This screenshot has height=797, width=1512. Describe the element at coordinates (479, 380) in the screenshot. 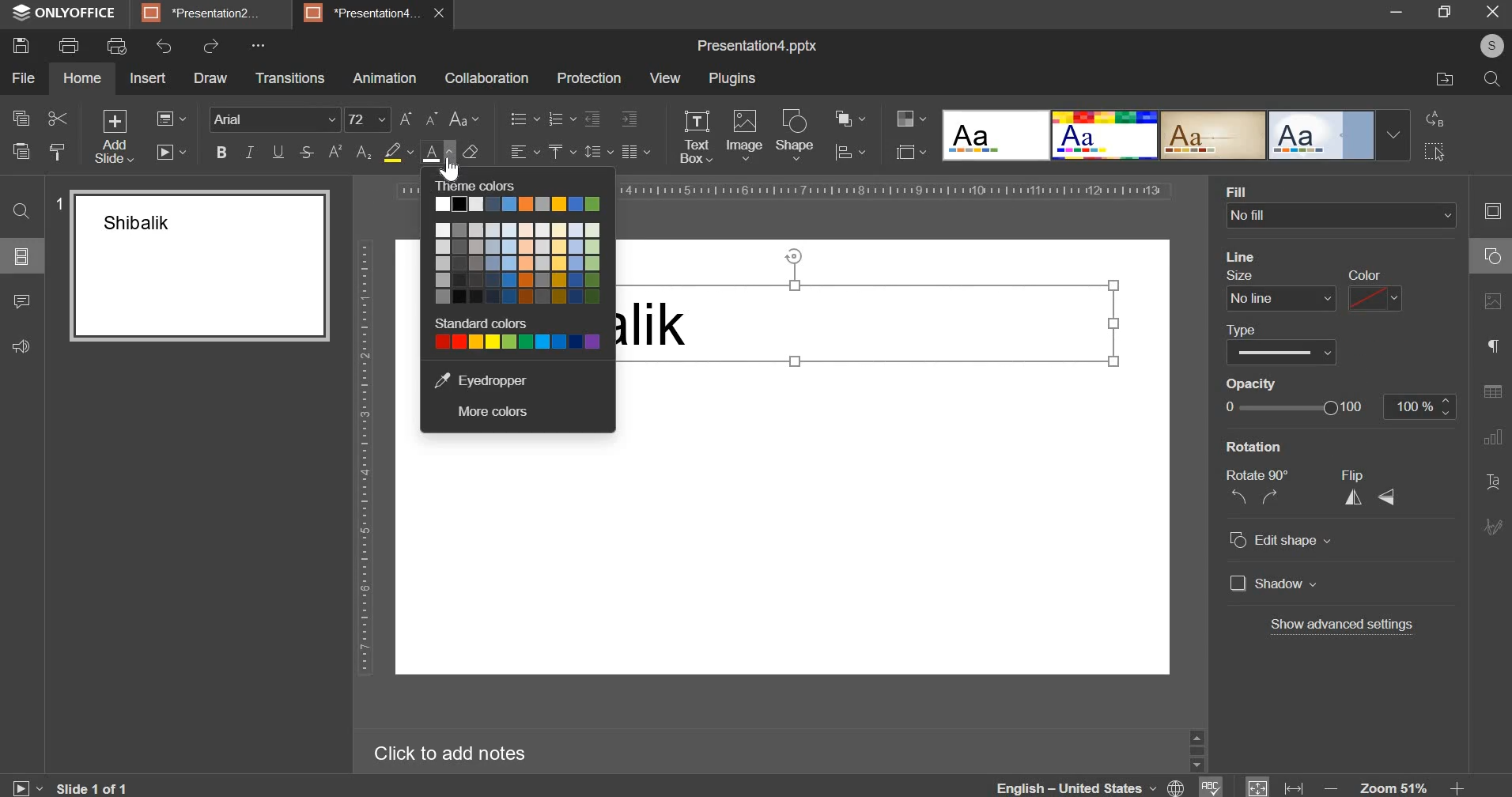

I see `eyedropper` at that location.